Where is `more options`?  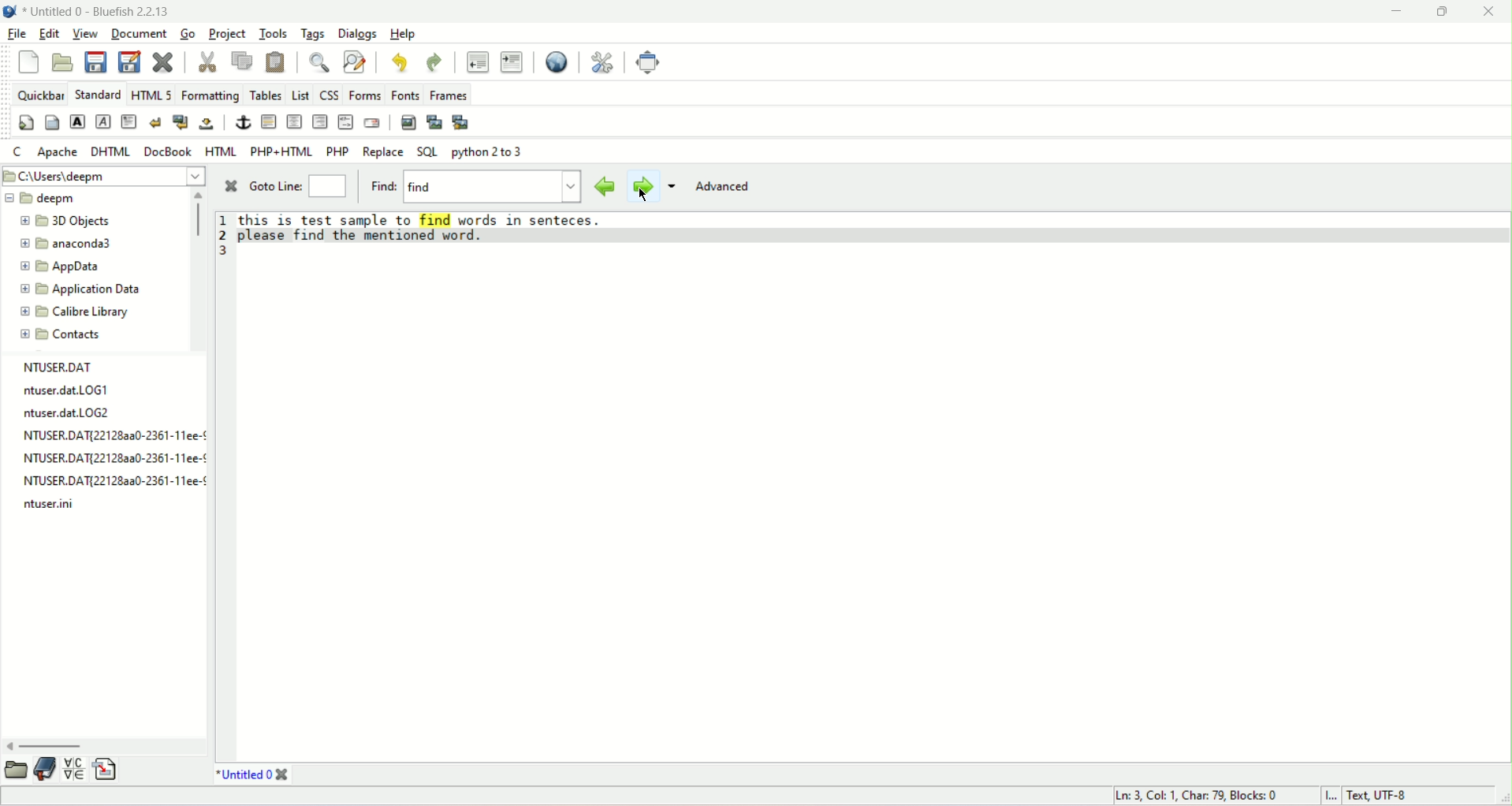
more options is located at coordinates (672, 188).